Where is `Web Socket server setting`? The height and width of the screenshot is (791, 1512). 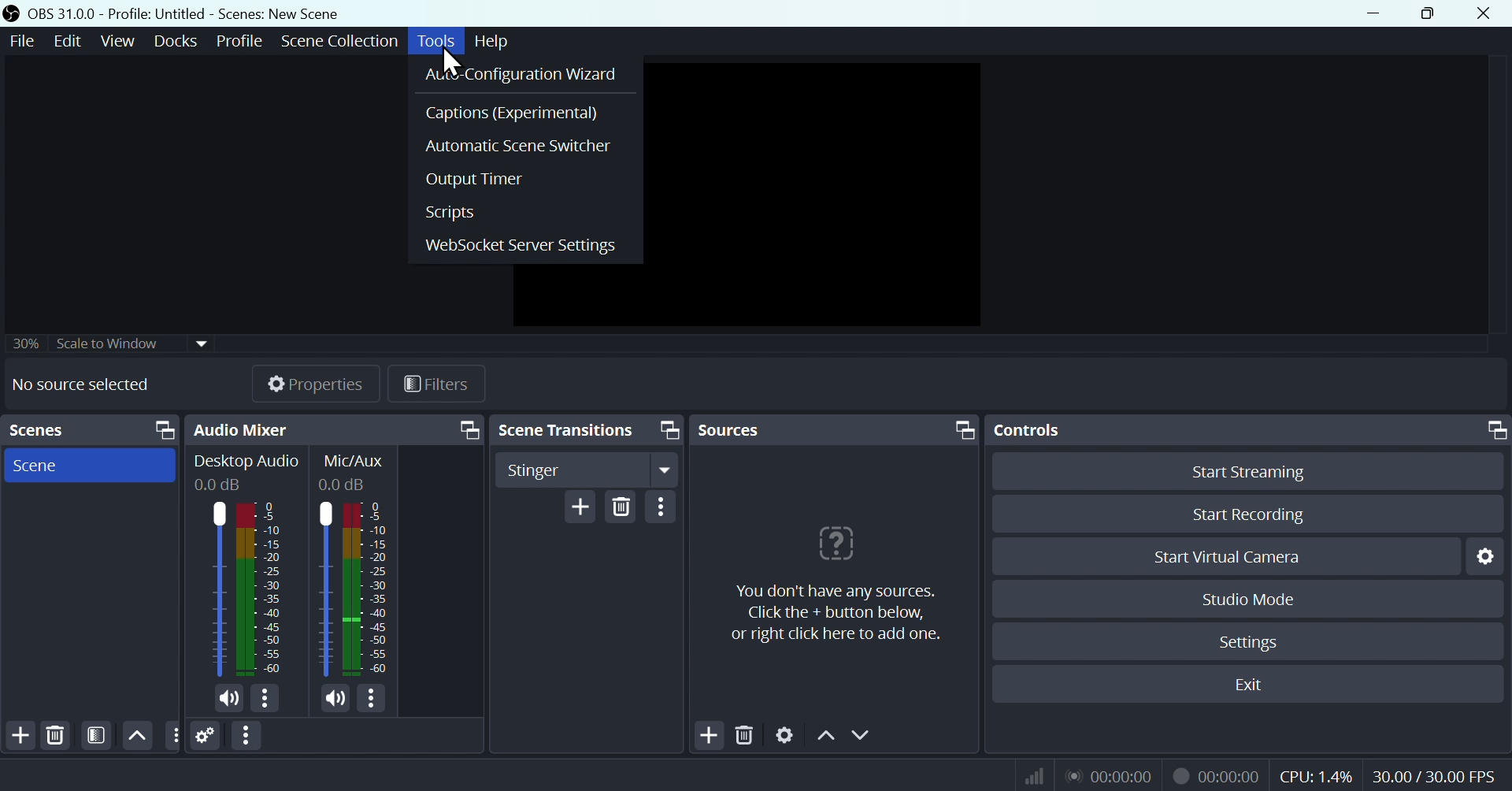 Web Socket server setting is located at coordinates (524, 244).